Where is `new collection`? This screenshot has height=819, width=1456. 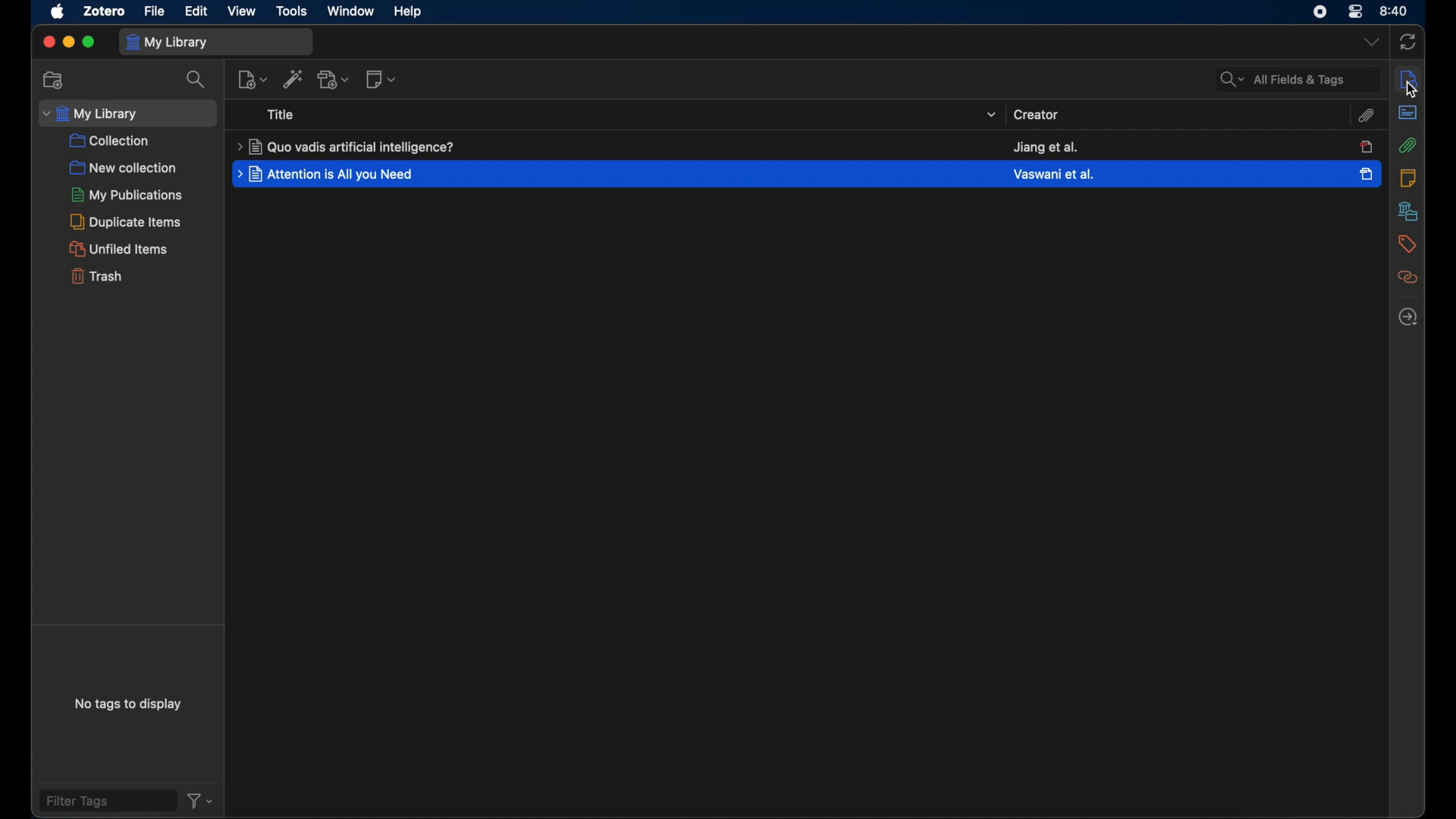
new collection is located at coordinates (123, 168).